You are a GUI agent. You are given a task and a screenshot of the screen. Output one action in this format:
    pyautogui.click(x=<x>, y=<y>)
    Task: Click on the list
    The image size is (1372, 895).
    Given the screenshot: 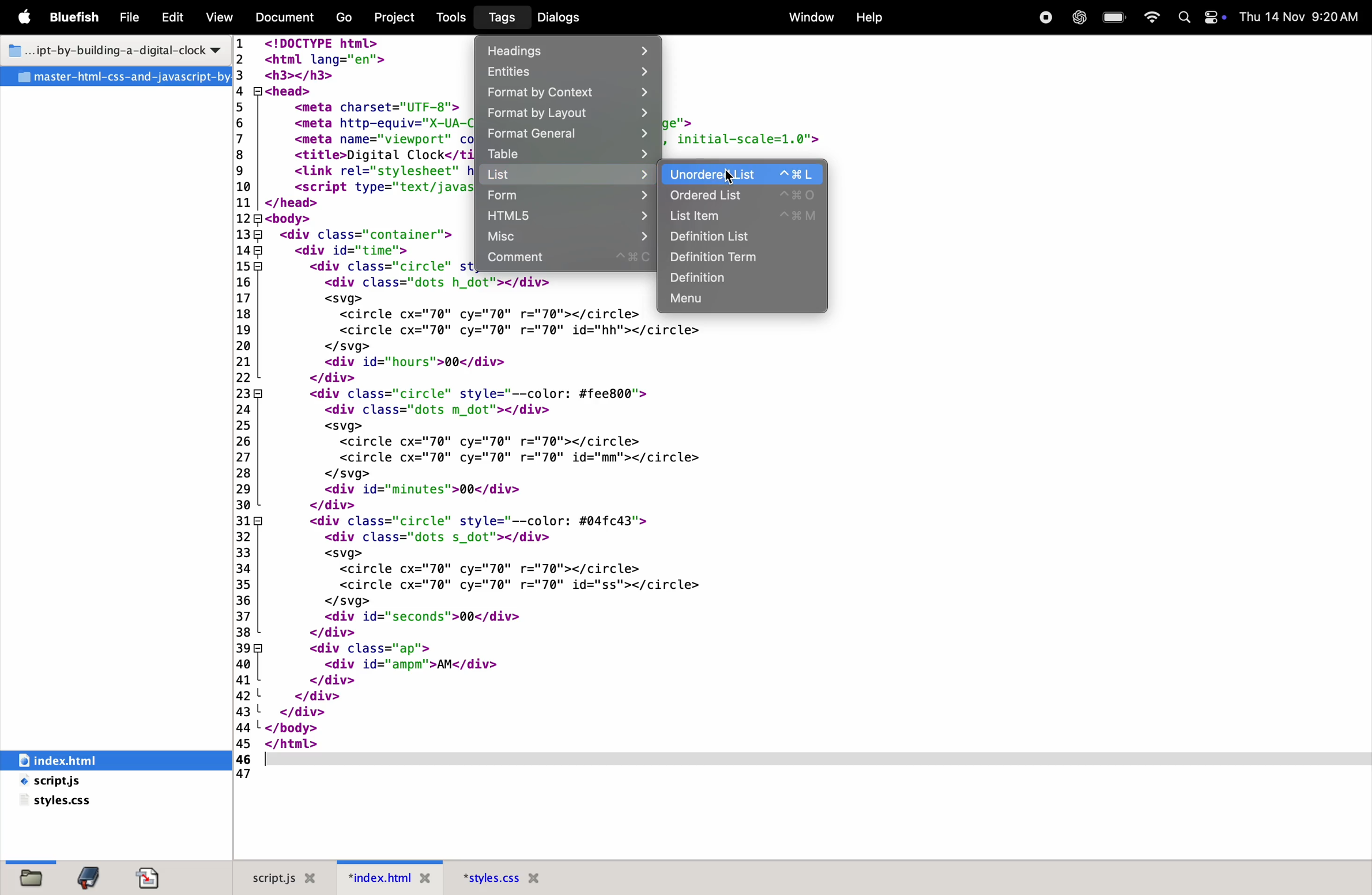 What is the action you would take?
    pyautogui.click(x=569, y=175)
    